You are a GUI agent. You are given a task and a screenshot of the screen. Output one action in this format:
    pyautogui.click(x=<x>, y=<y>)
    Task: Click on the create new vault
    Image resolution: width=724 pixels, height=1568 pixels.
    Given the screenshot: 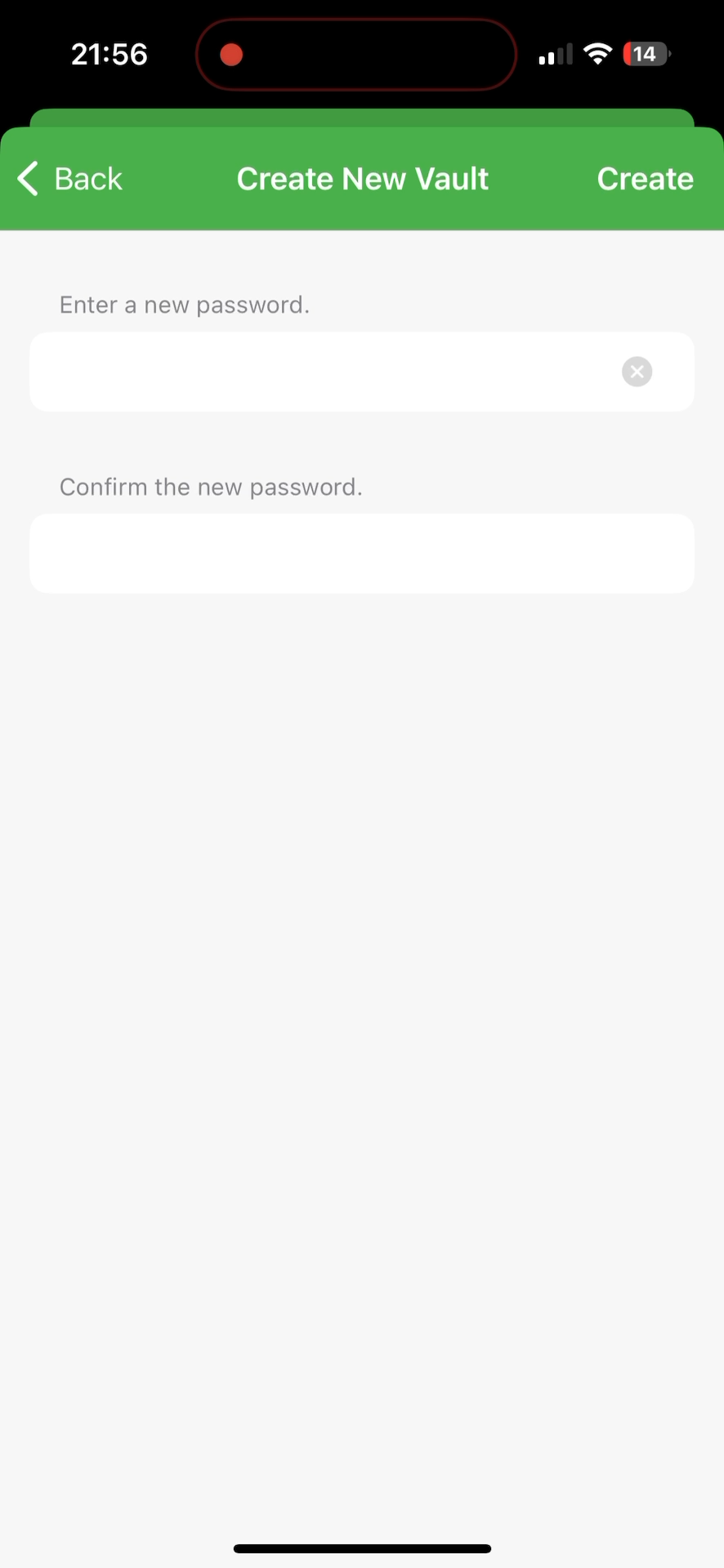 What is the action you would take?
    pyautogui.click(x=367, y=171)
    